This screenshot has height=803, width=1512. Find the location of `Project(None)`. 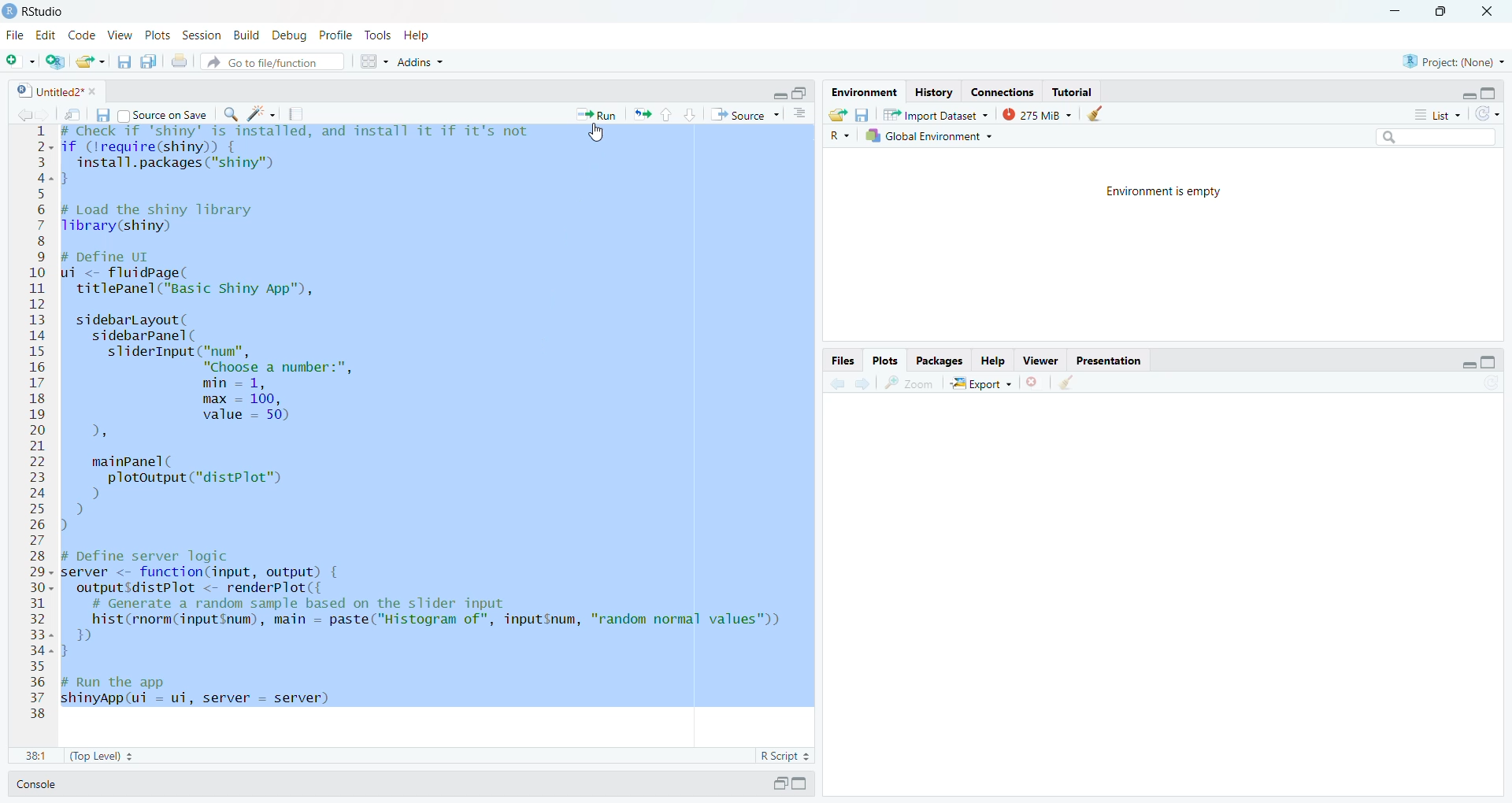

Project(None) is located at coordinates (1455, 61).